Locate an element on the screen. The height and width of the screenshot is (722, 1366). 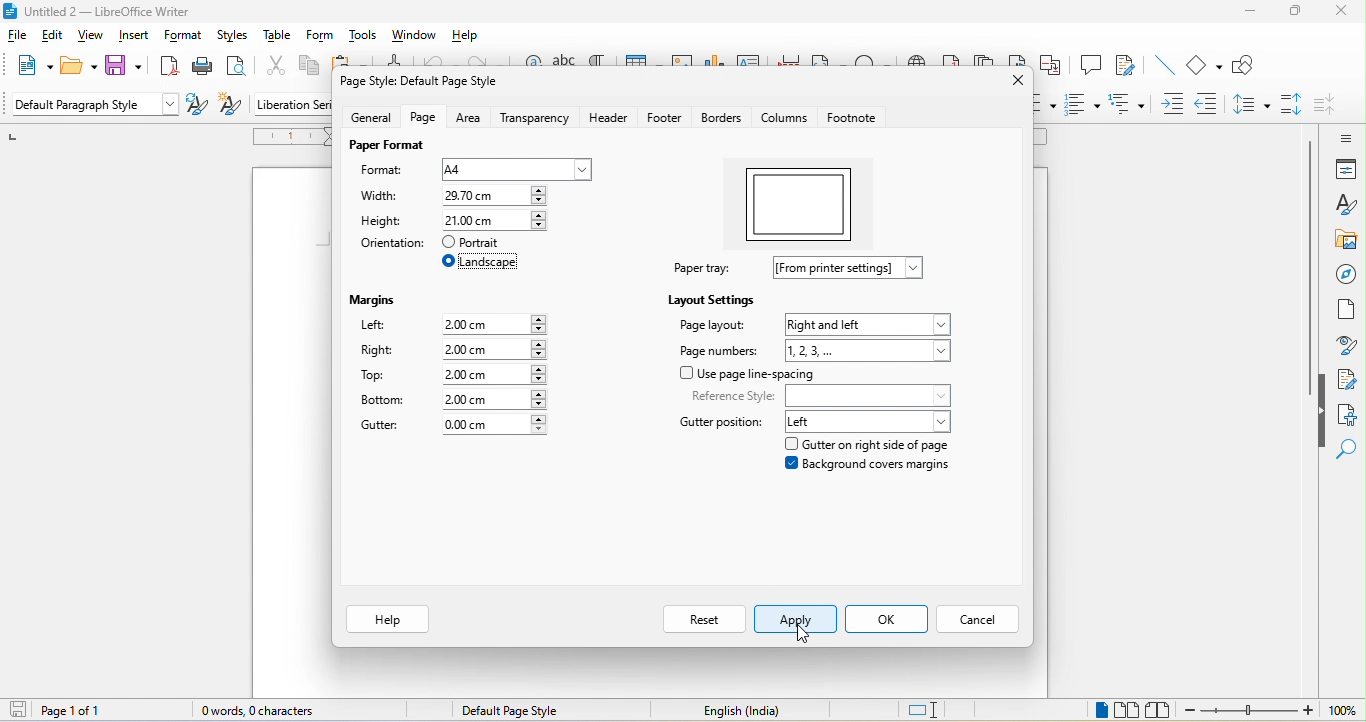
from printer settings is located at coordinates (850, 270).